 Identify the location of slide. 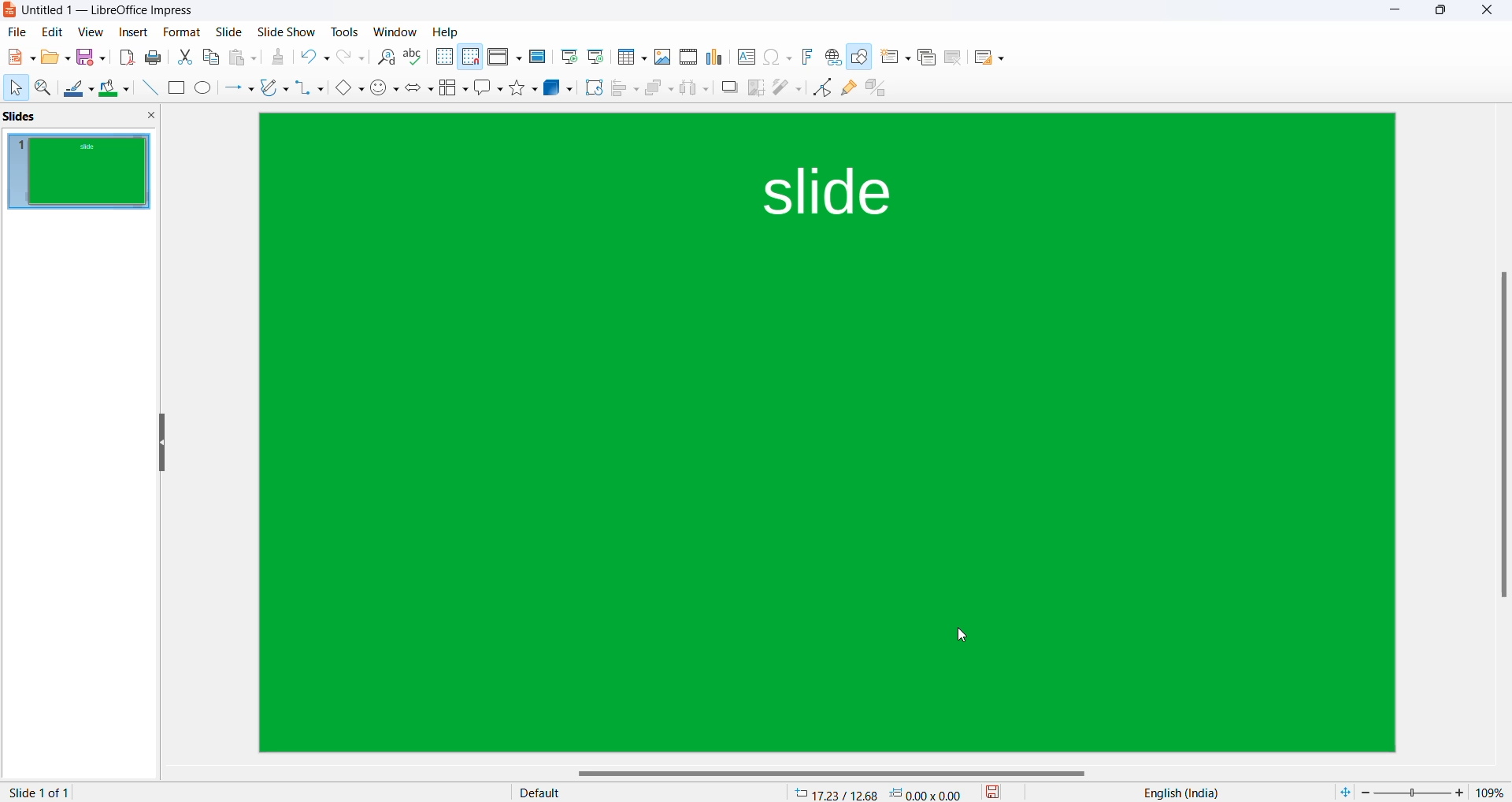
(181, 32).